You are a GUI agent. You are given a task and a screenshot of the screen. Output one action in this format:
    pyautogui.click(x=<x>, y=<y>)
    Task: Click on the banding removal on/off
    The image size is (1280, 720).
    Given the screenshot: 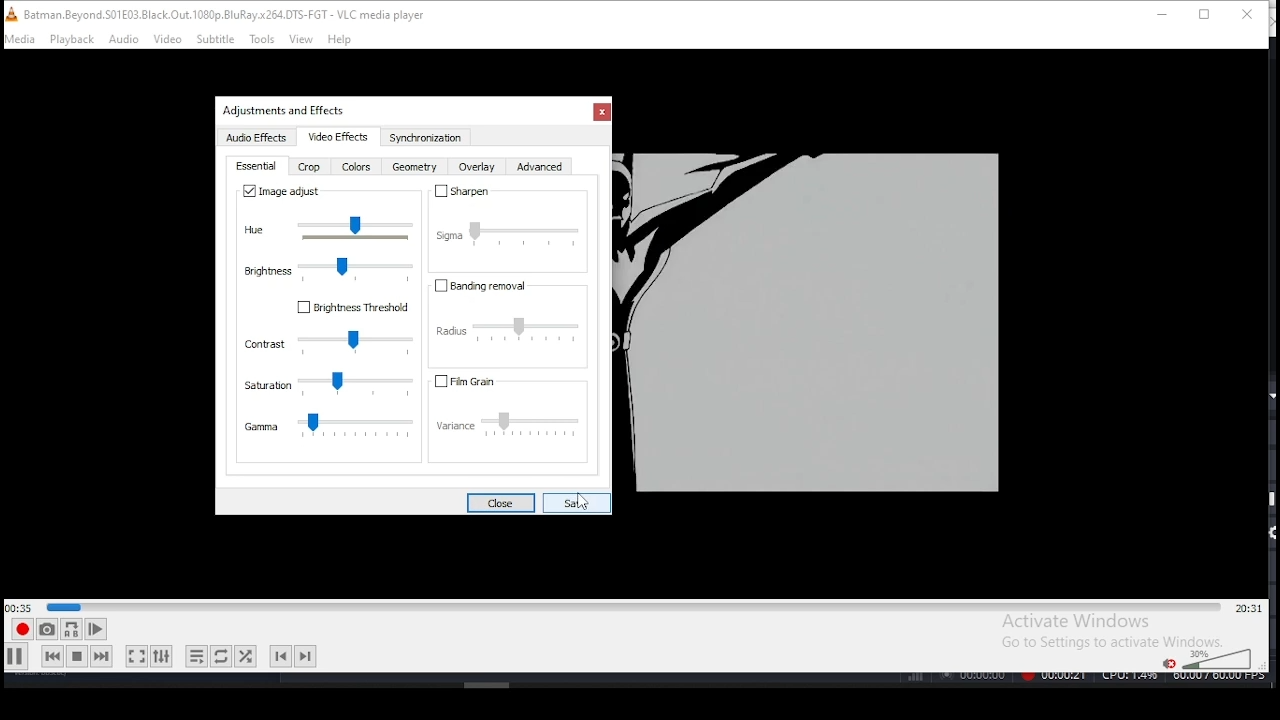 What is the action you would take?
    pyautogui.click(x=487, y=286)
    